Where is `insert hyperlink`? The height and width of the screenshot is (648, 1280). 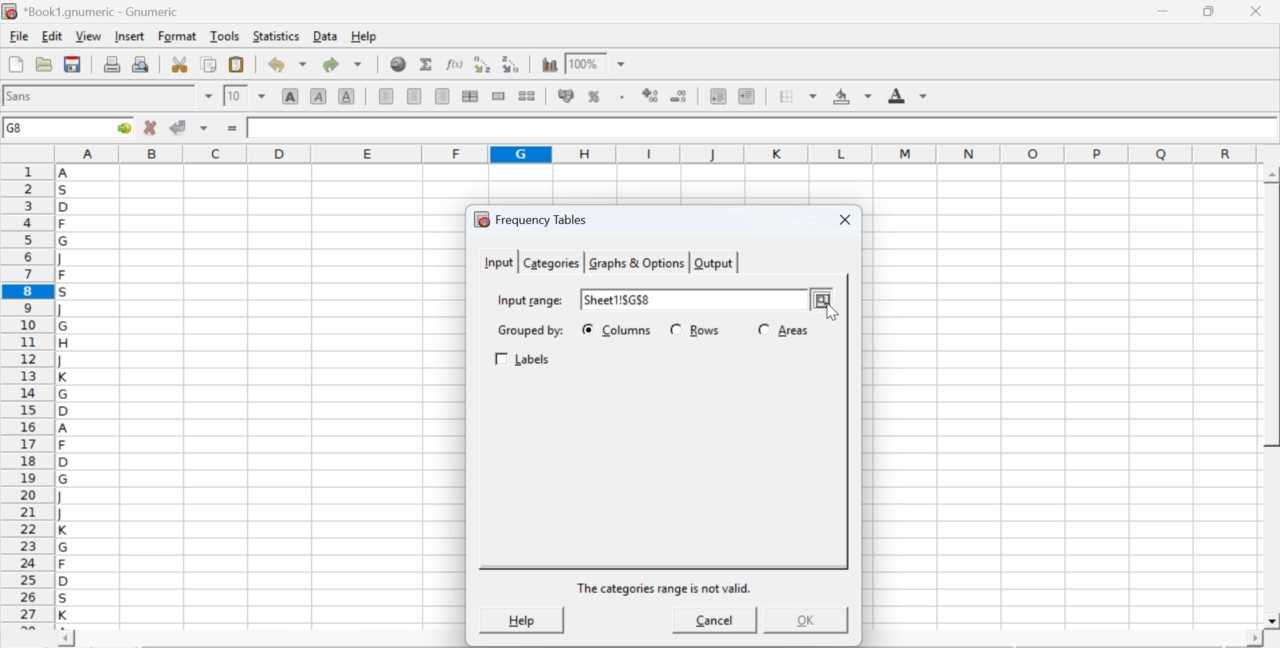
insert hyperlink is located at coordinates (399, 64).